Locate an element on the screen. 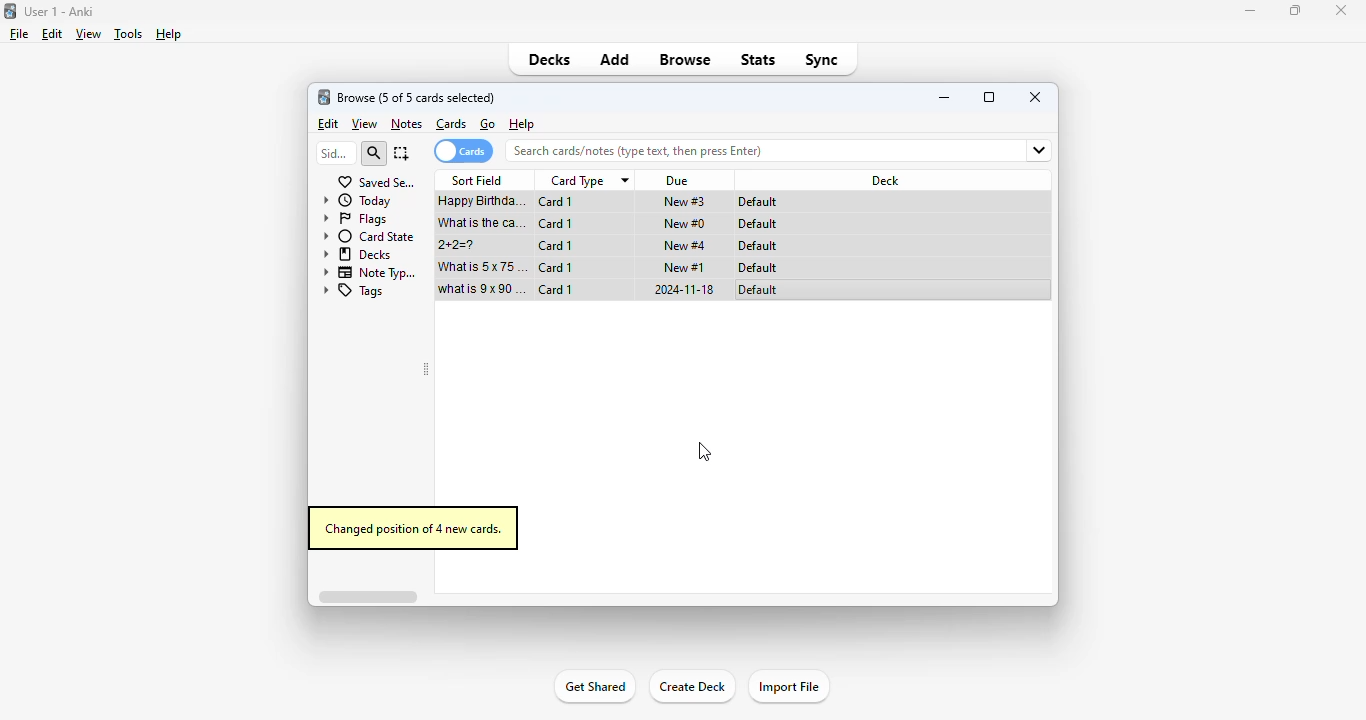 The width and height of the screenshot is (1366, 720). select is located at coordinates (402, 153).